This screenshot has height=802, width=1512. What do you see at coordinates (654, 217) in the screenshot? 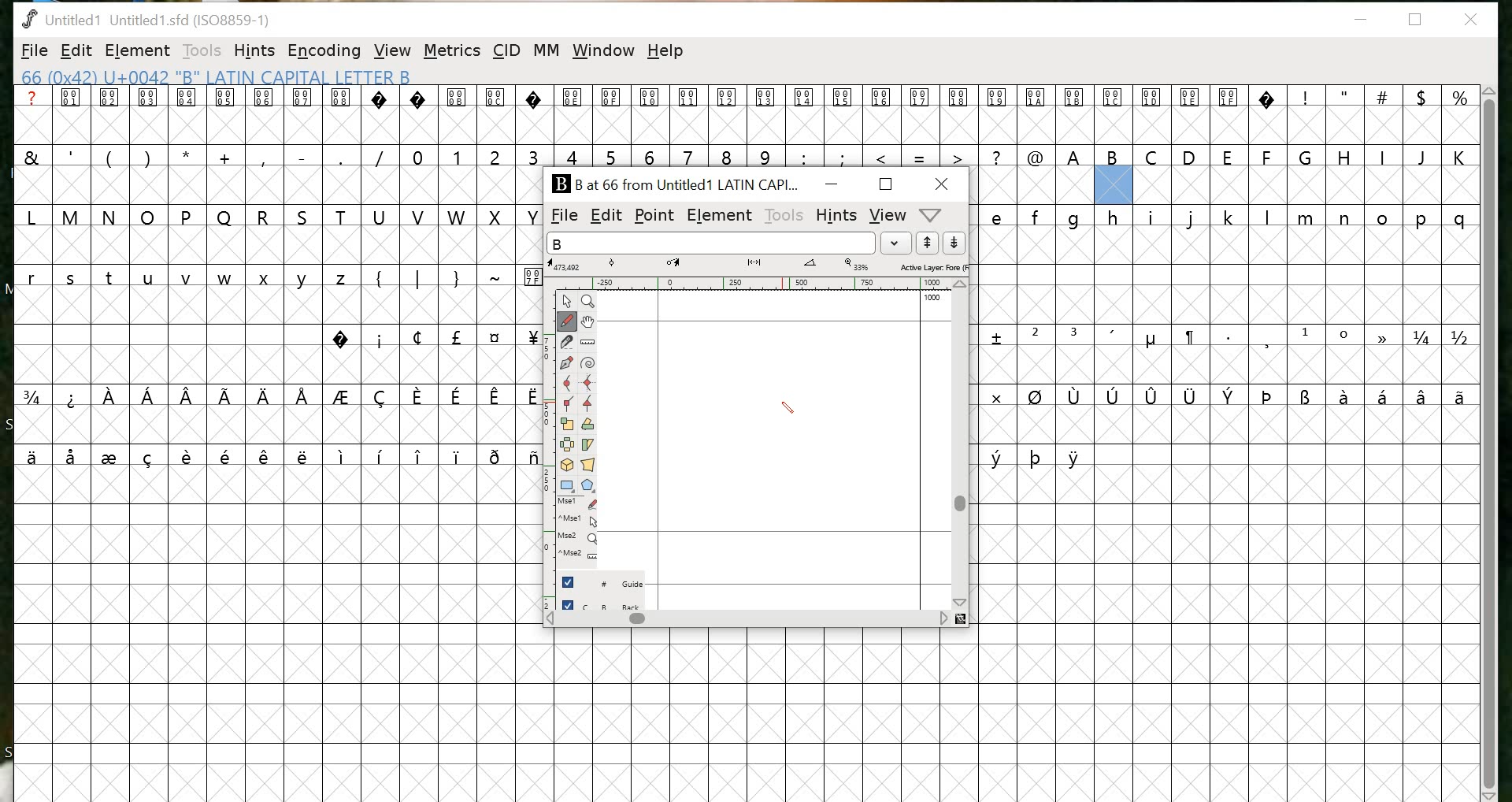
I see `POINT` at bounding box center [654, 217].